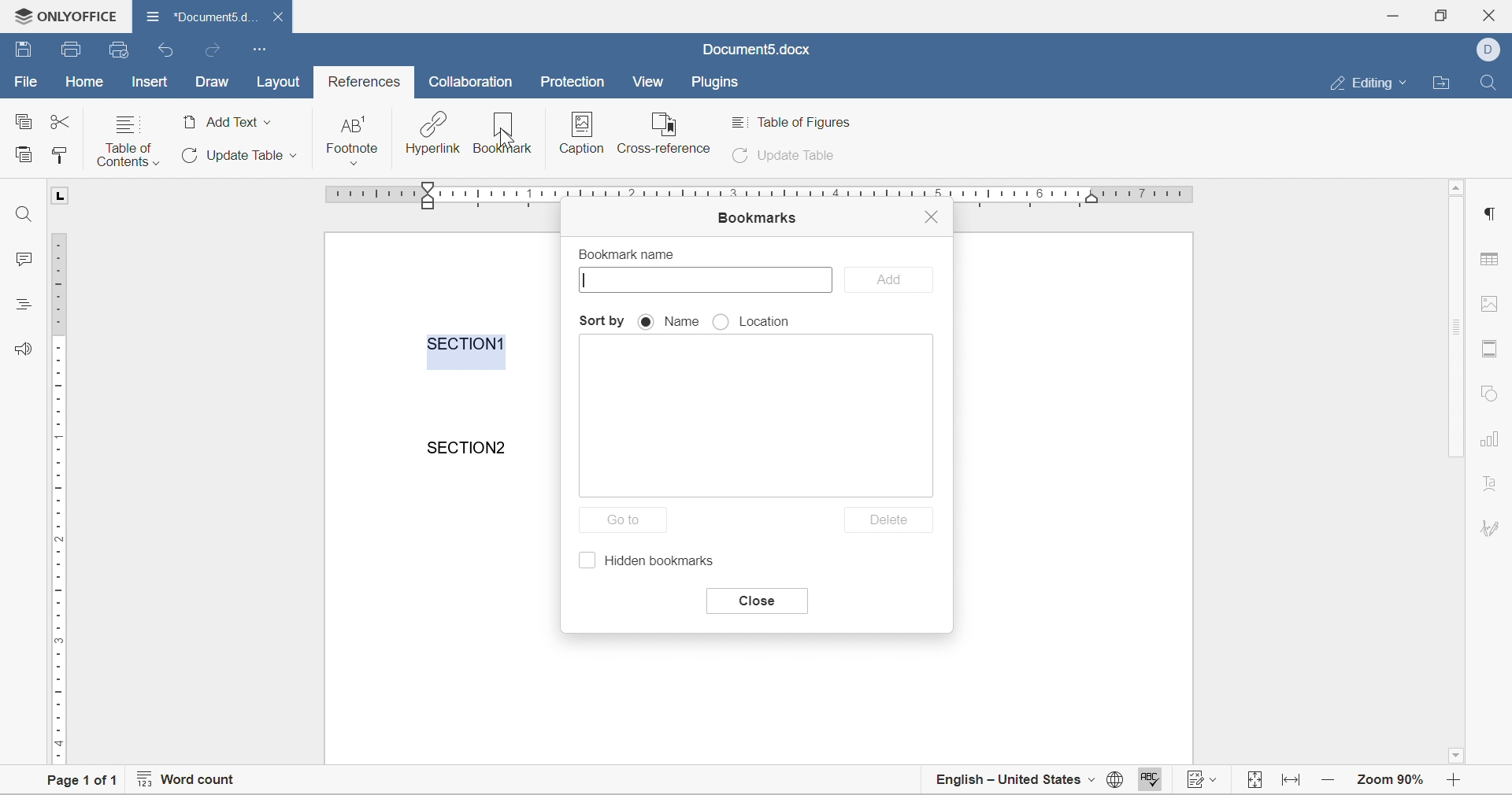  Describe the element at coordinates (212, 83) in the screenshot. I see `draw` at that location.